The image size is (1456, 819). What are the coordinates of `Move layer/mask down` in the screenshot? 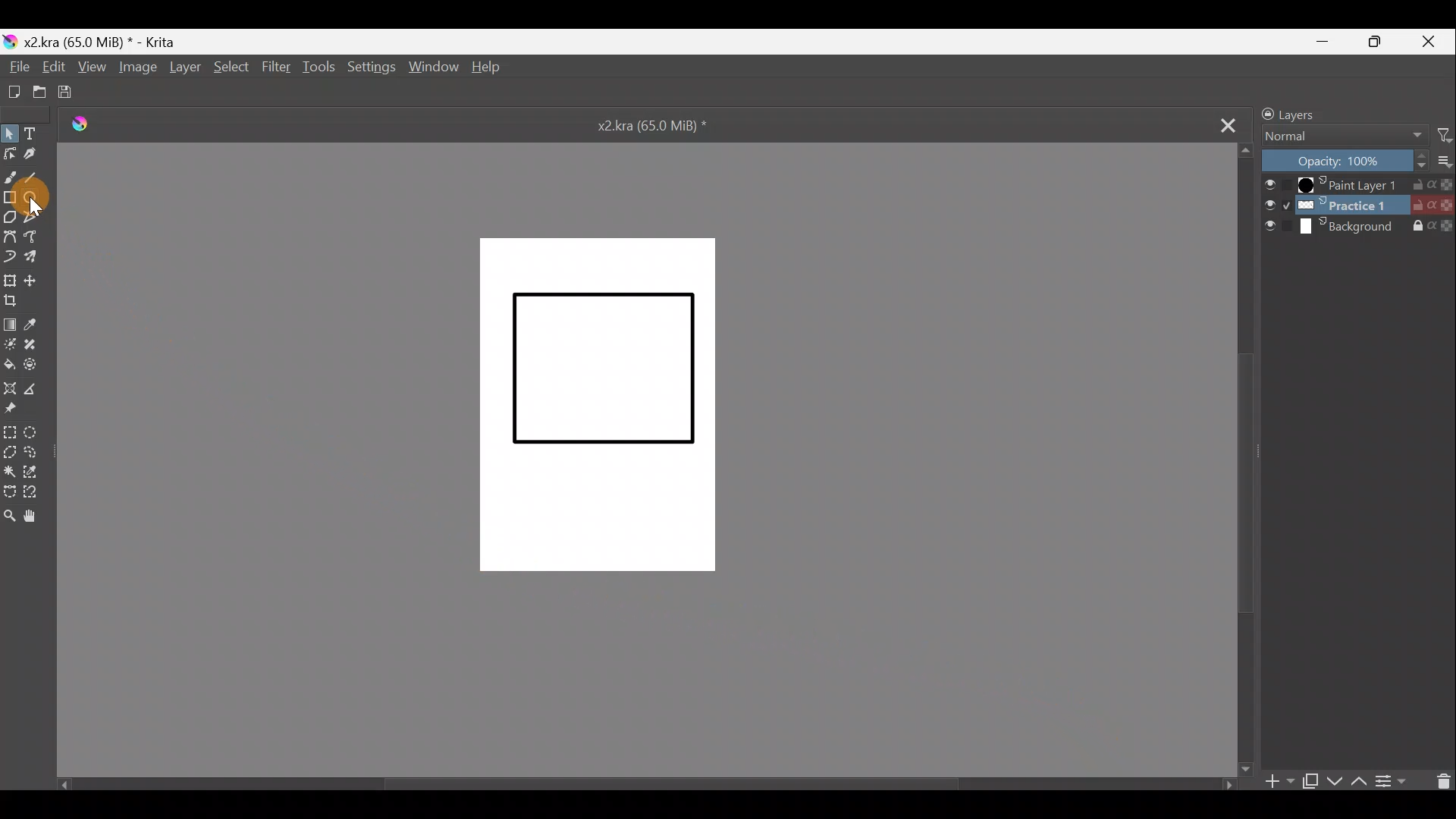 It's located at (1335, 776).